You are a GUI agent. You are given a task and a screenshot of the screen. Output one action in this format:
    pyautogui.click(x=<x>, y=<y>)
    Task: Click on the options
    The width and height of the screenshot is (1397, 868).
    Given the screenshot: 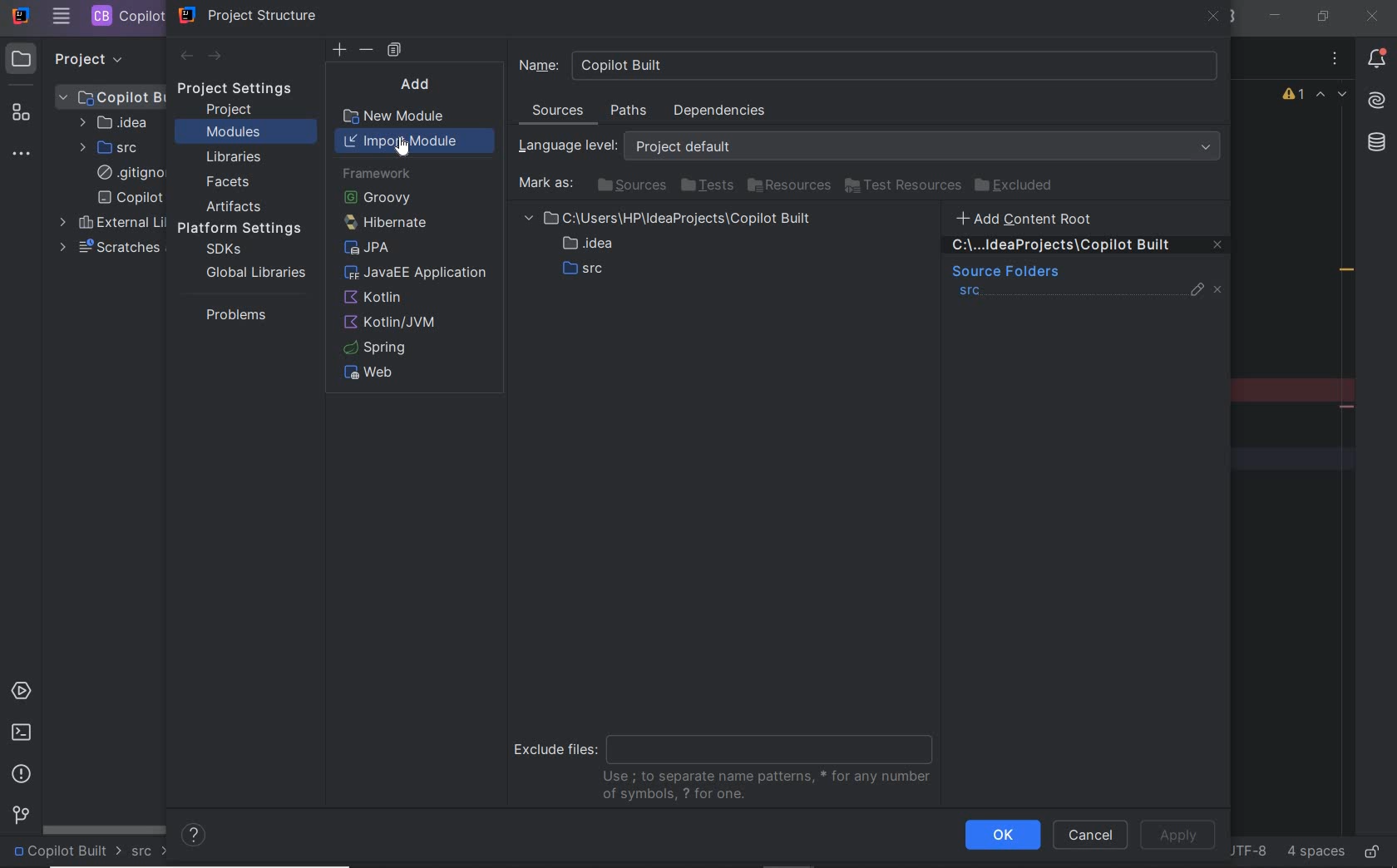 What is the action you would take?
    pyautogui.click(x=1335, y=61)
    